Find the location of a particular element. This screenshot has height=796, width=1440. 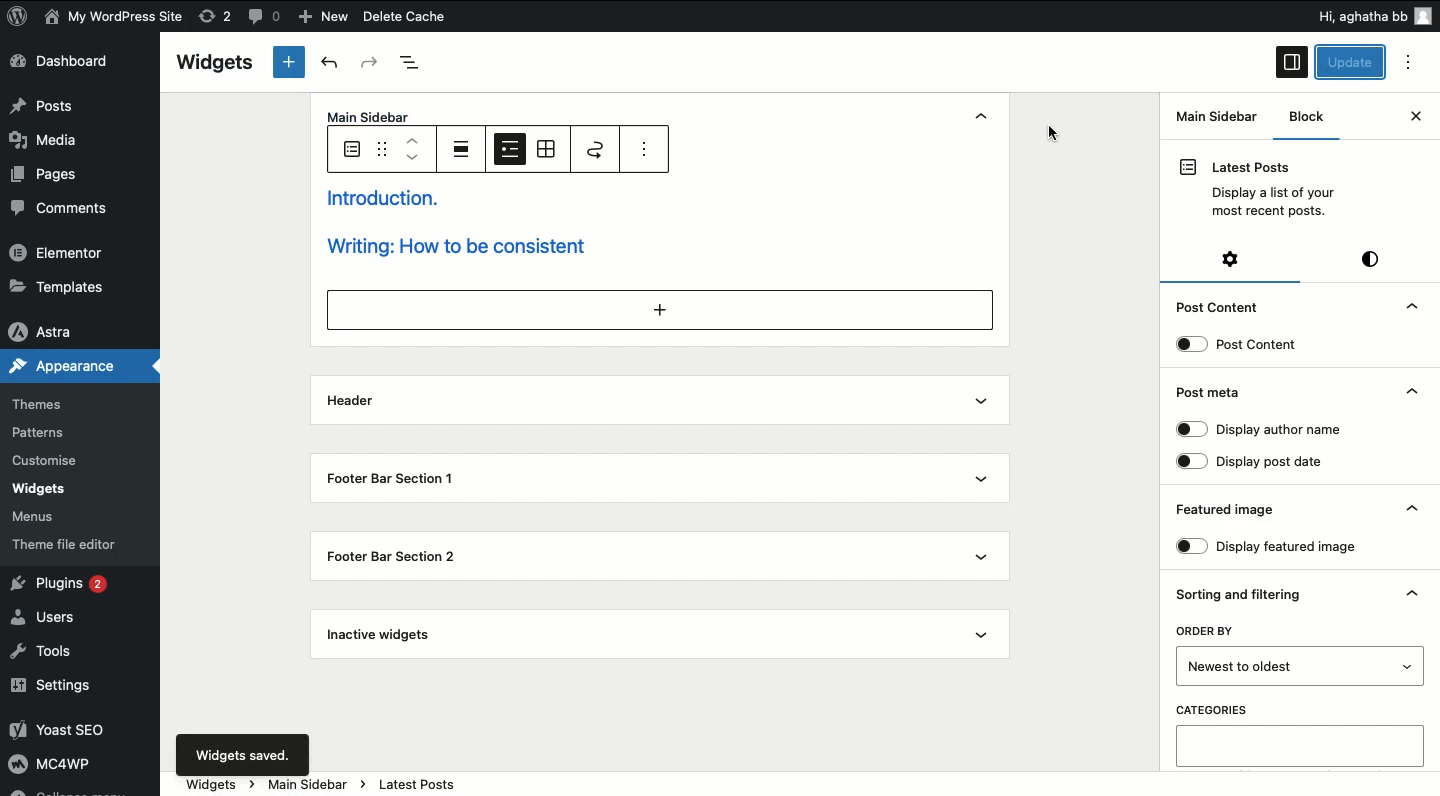

»Templates is located at coordinates (60, 283).